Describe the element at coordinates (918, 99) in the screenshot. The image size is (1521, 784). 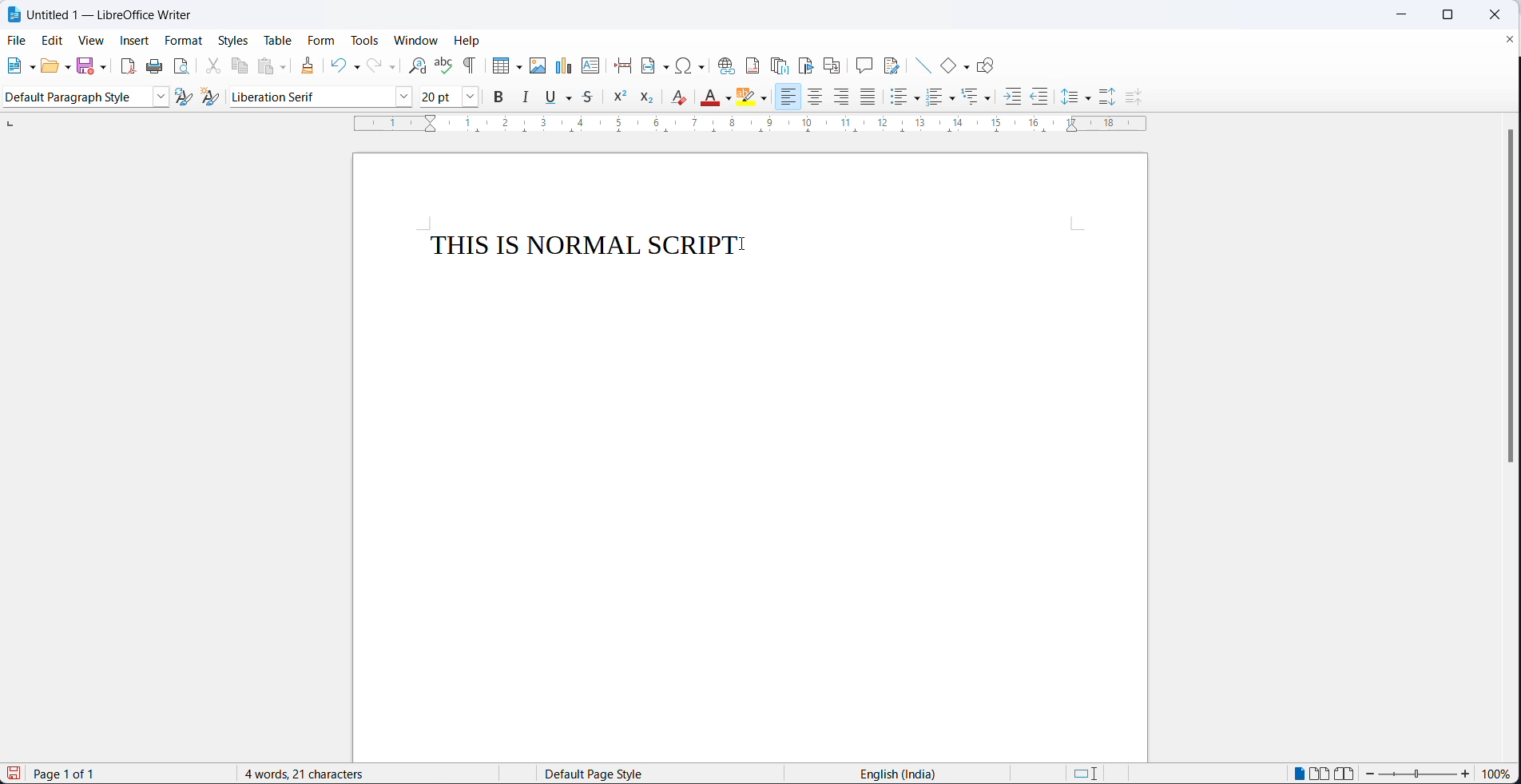
I see `toggle unordered list options` at that location.